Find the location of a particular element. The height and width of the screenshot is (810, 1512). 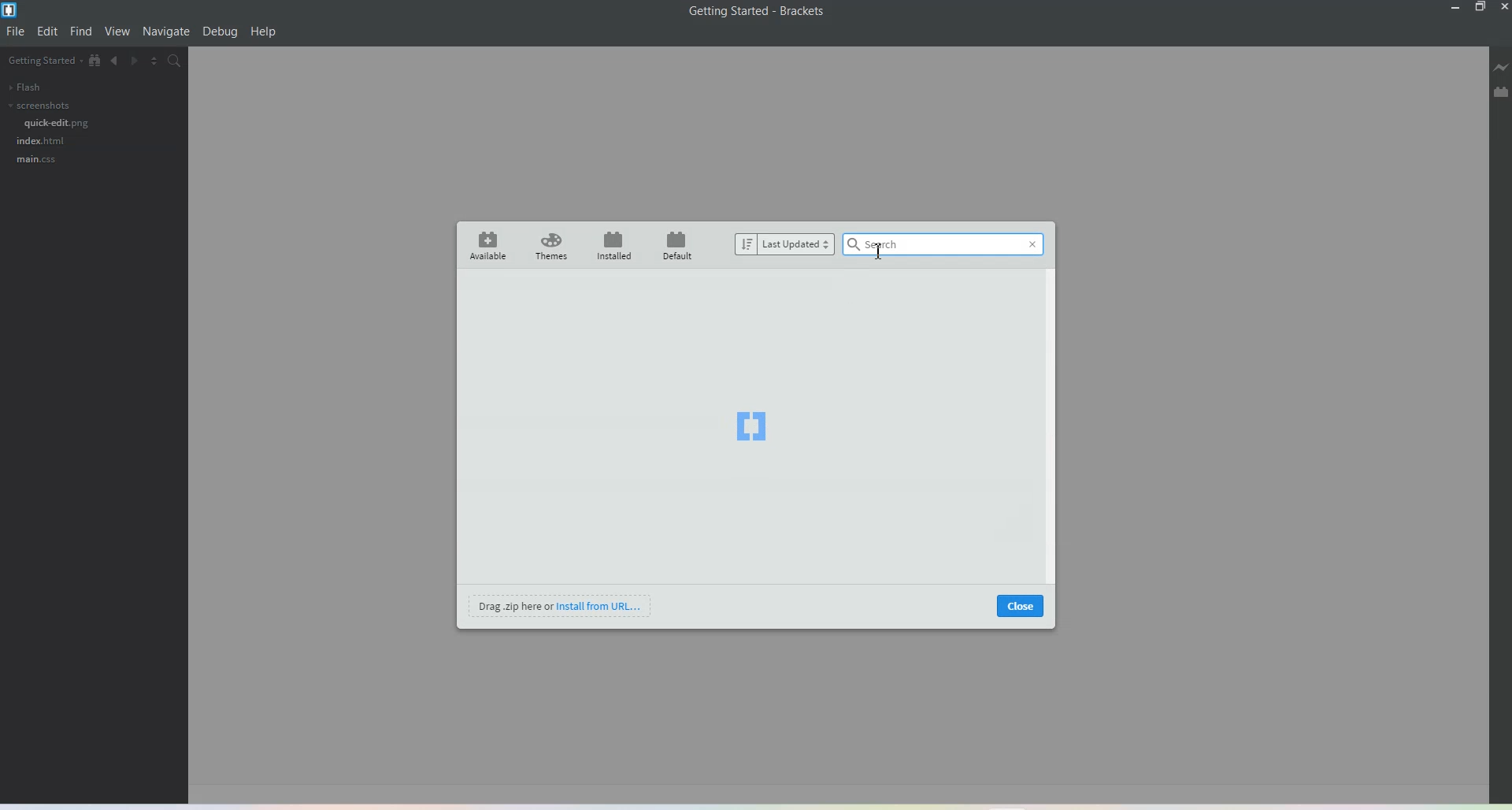

Show in the file tree is located at coordinates (95, 61).